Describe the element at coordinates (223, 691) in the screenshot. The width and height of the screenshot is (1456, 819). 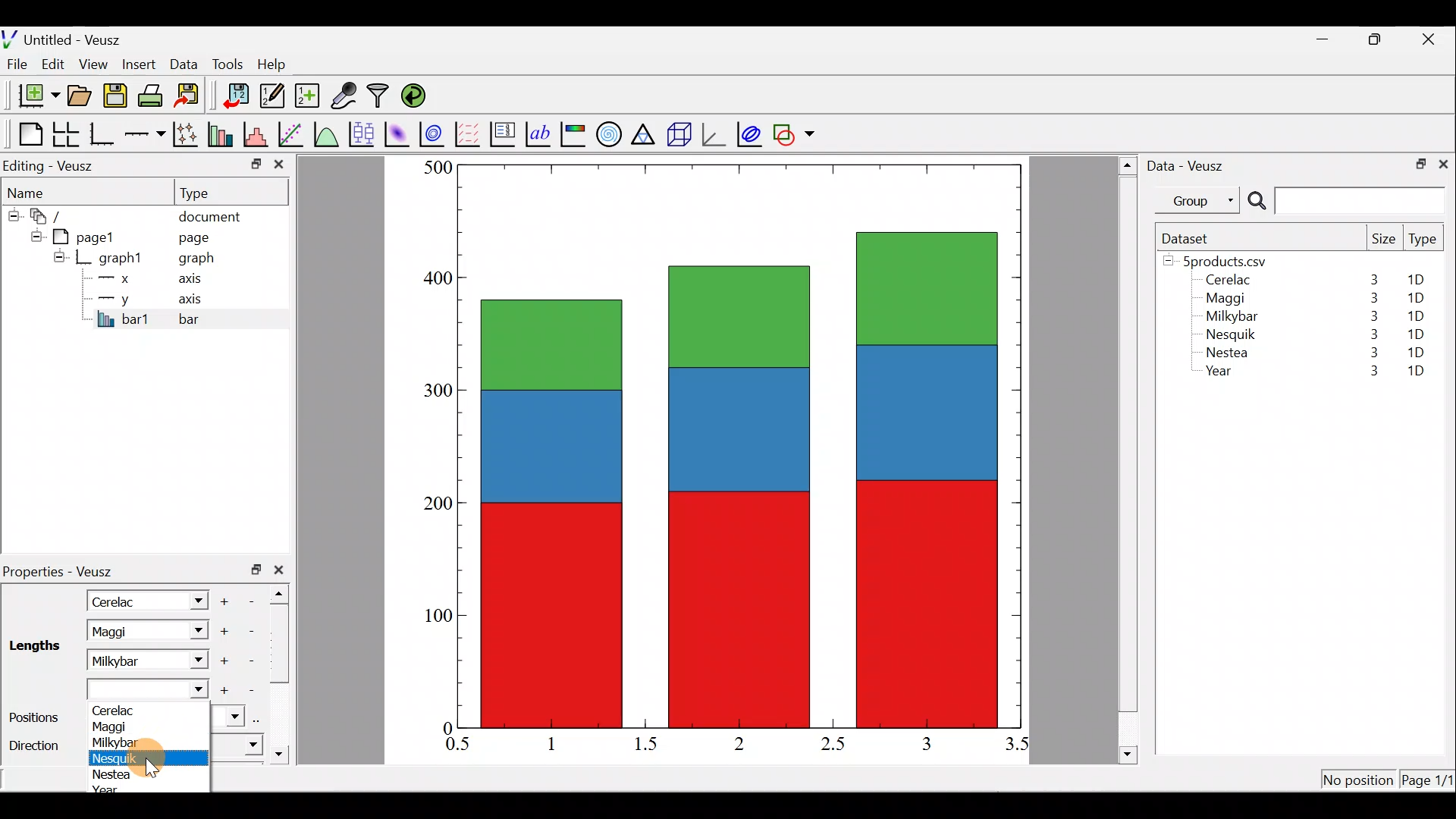
I see `Add another item` at that location.